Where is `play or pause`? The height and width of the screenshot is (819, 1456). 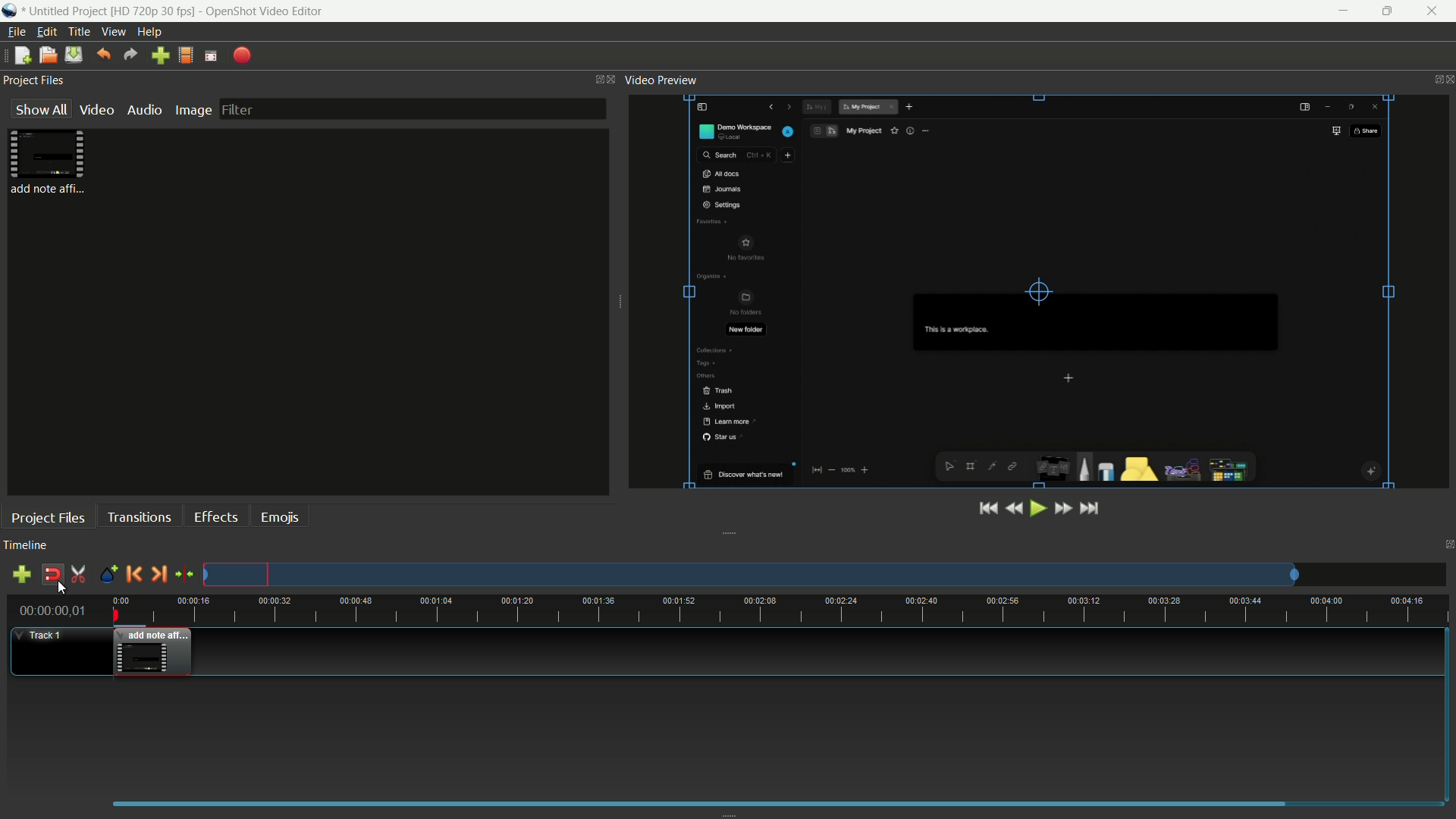
play or pause is located at coordinates (1036, 508).